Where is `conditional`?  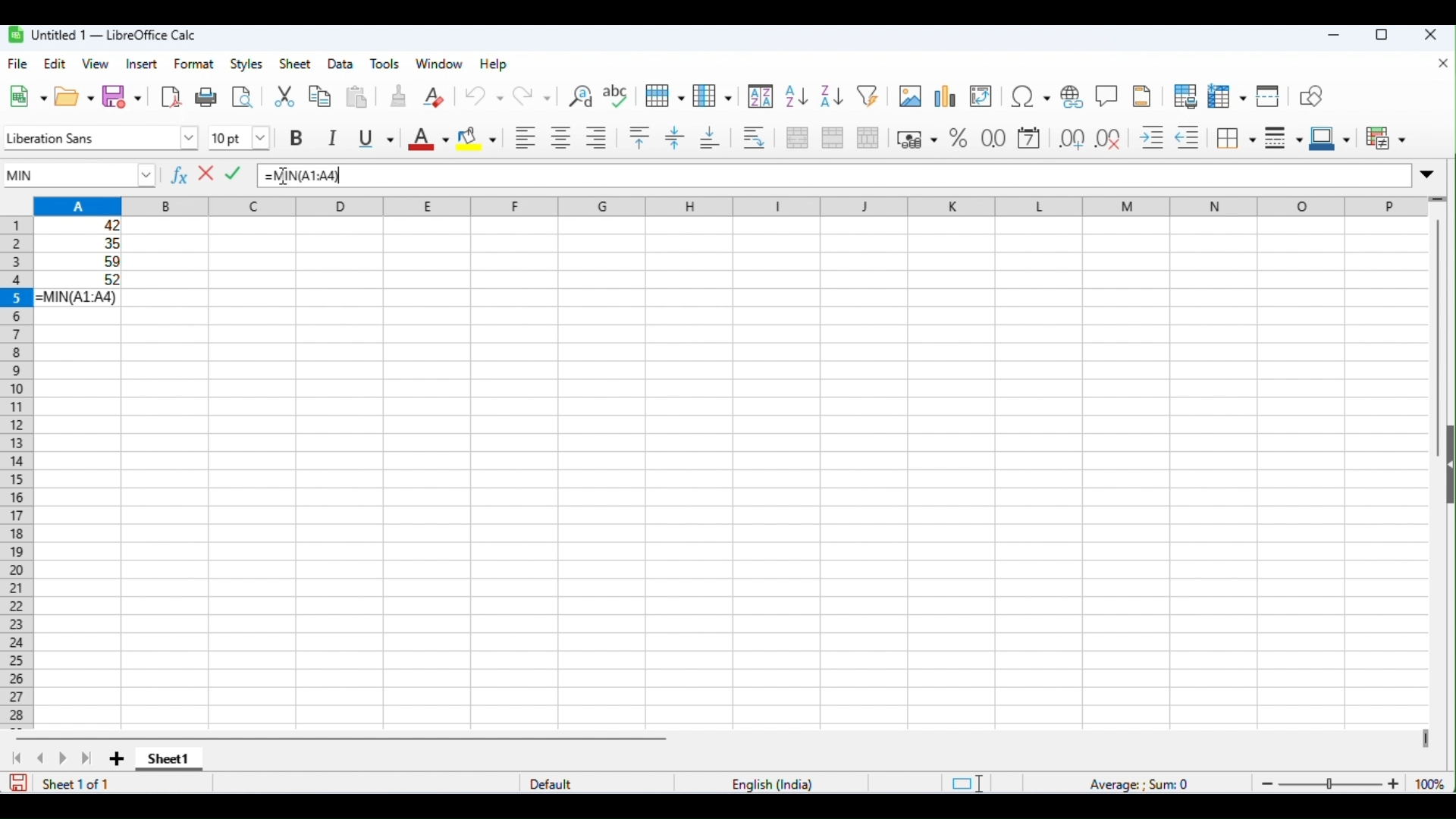
conditional is located at coordinates (1384, 139).